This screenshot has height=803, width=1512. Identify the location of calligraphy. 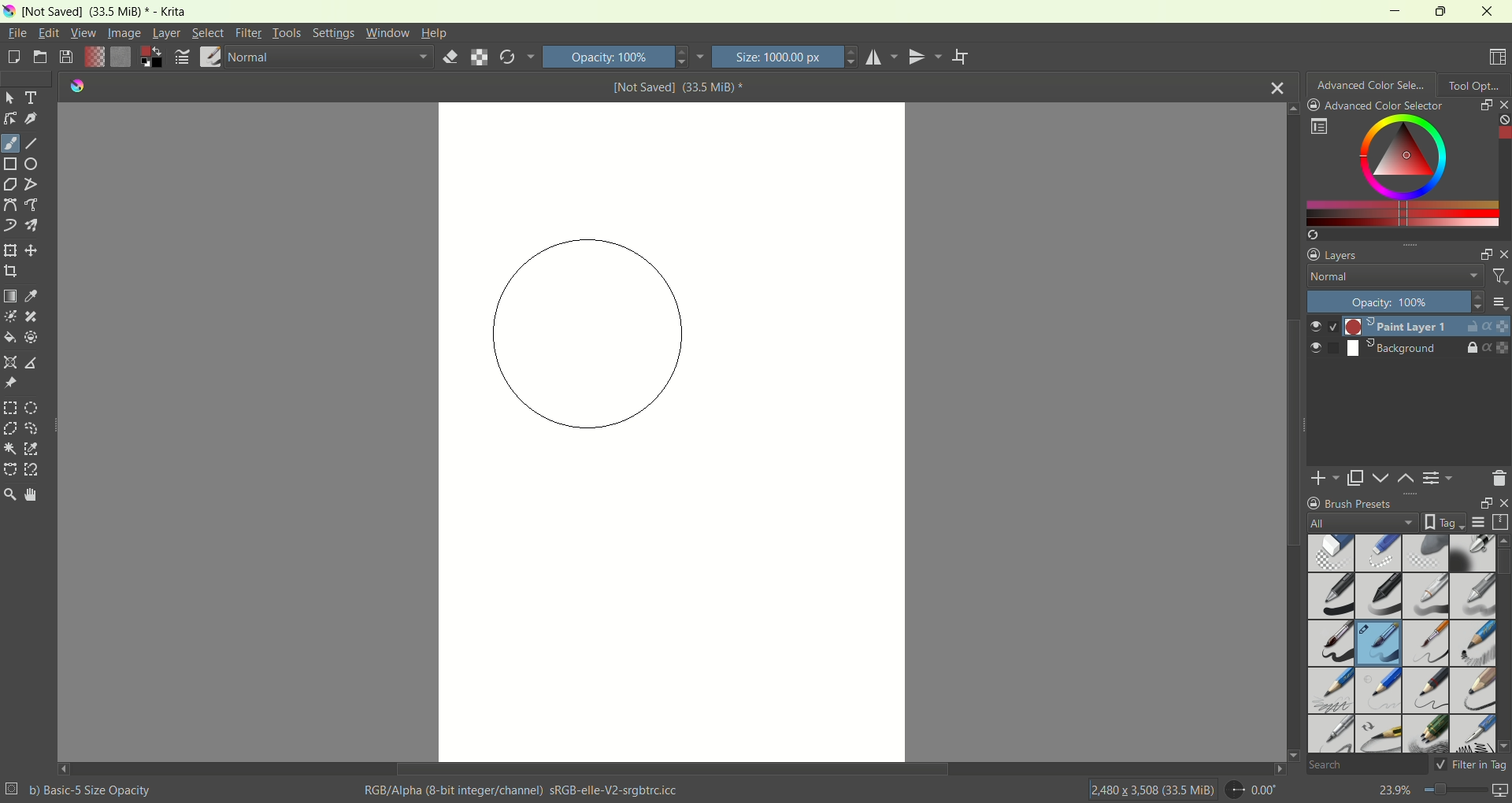
(32, 120).